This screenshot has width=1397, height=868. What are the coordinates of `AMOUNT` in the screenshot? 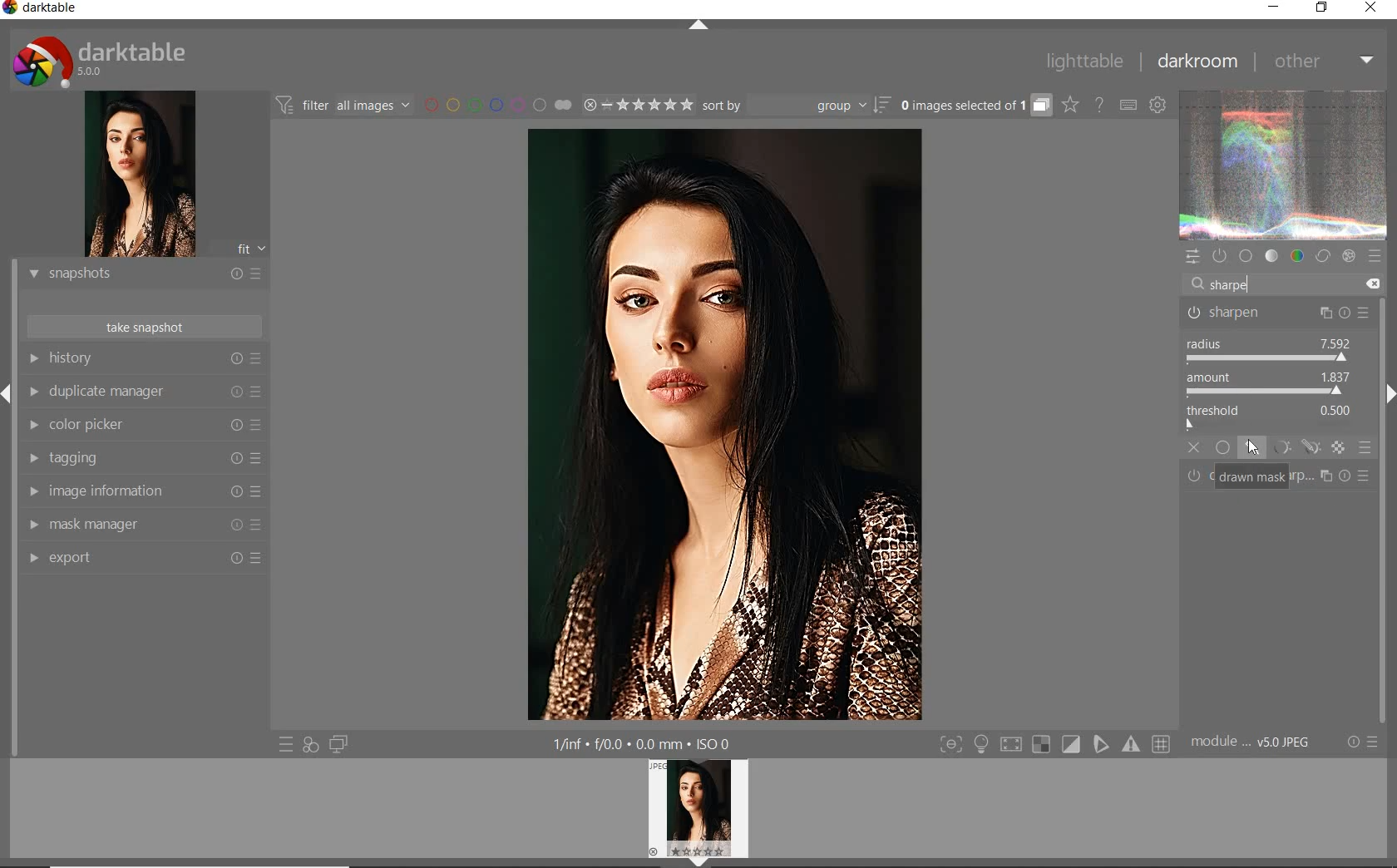 It's located at (1269, 383).